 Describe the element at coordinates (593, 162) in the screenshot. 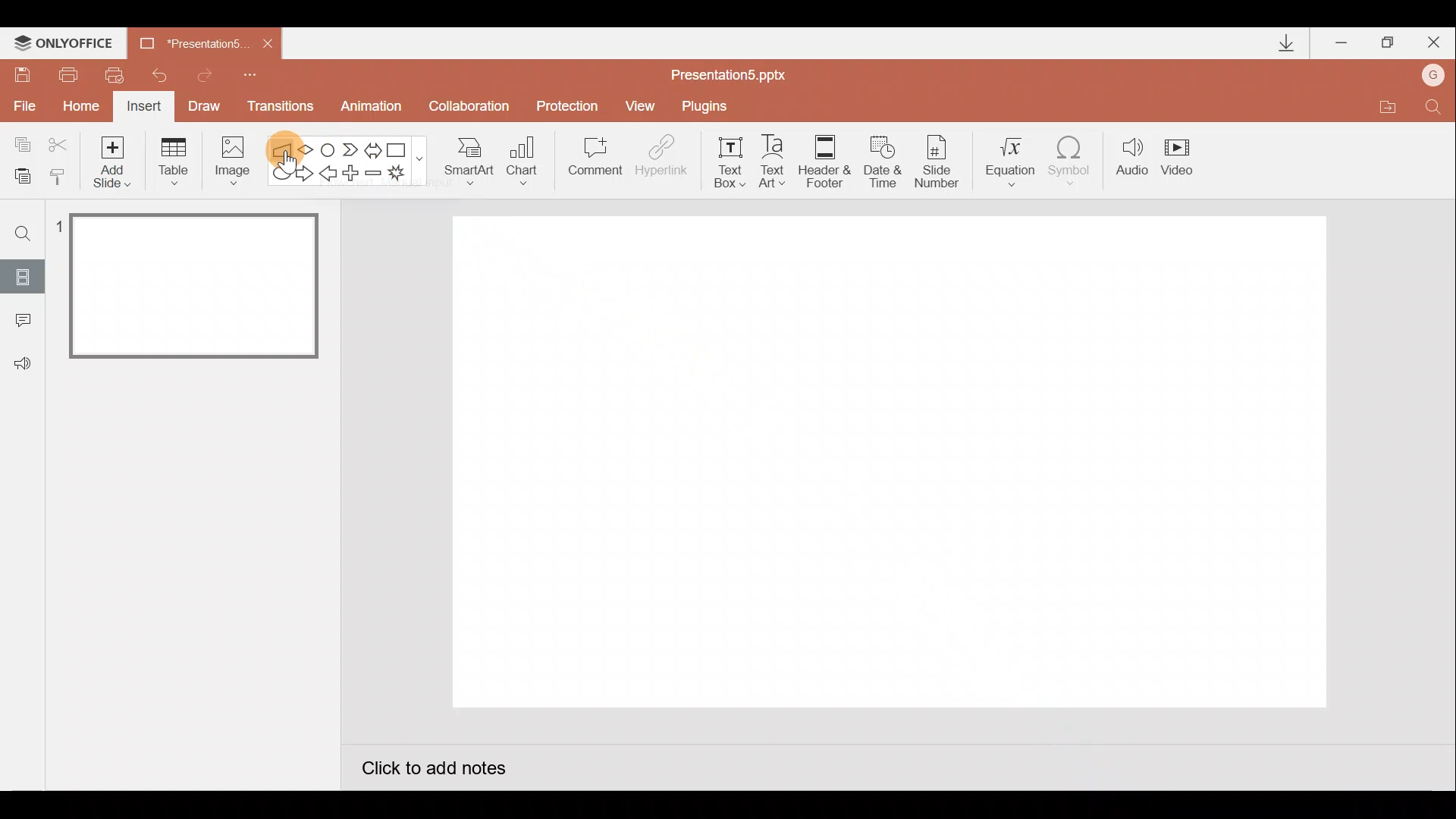

I see `Comment` at that location.